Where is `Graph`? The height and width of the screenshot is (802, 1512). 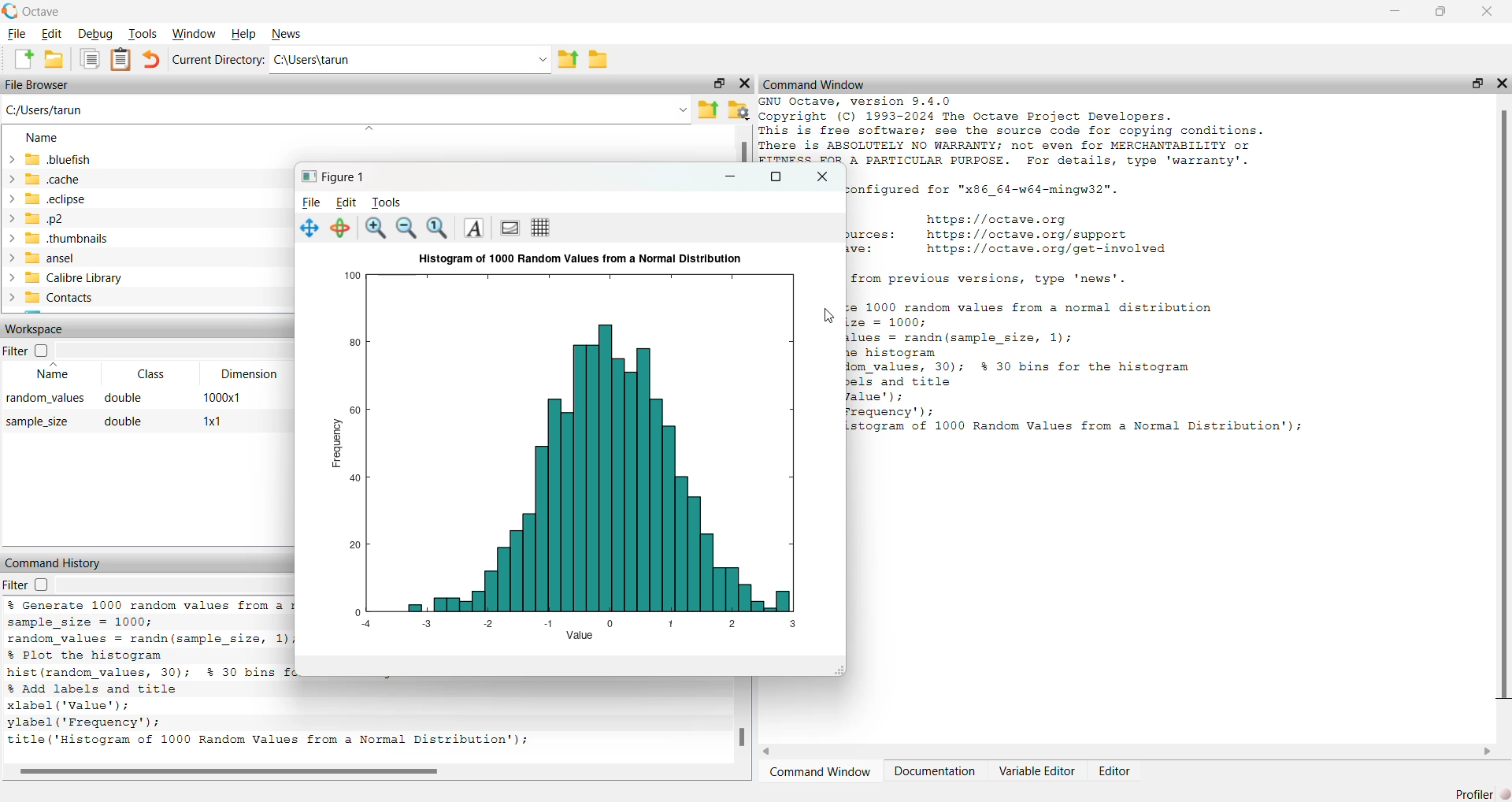 Graph is located at coordinates (581, 448).